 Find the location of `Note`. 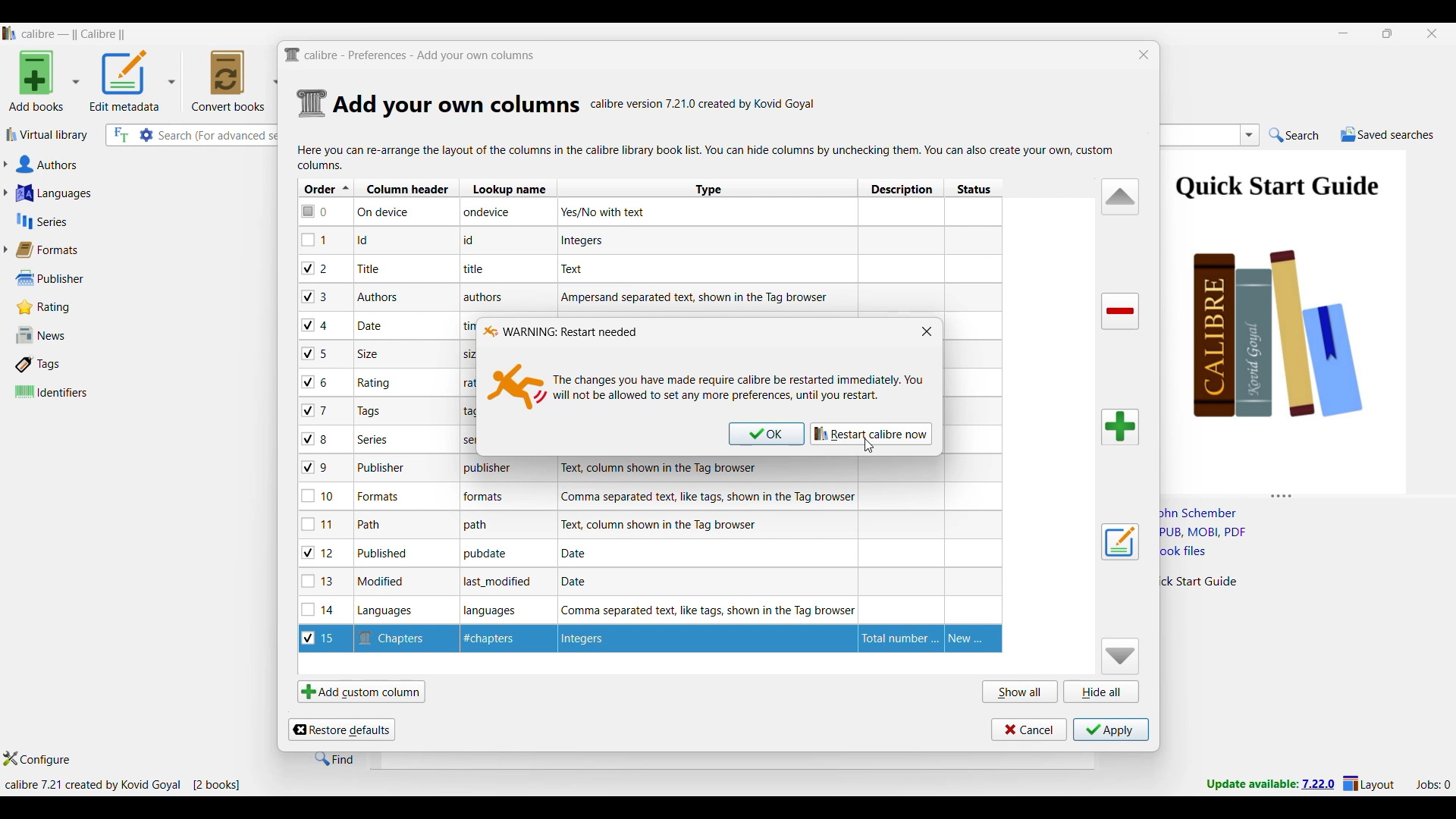

Note is located at coordinates (498, 640).